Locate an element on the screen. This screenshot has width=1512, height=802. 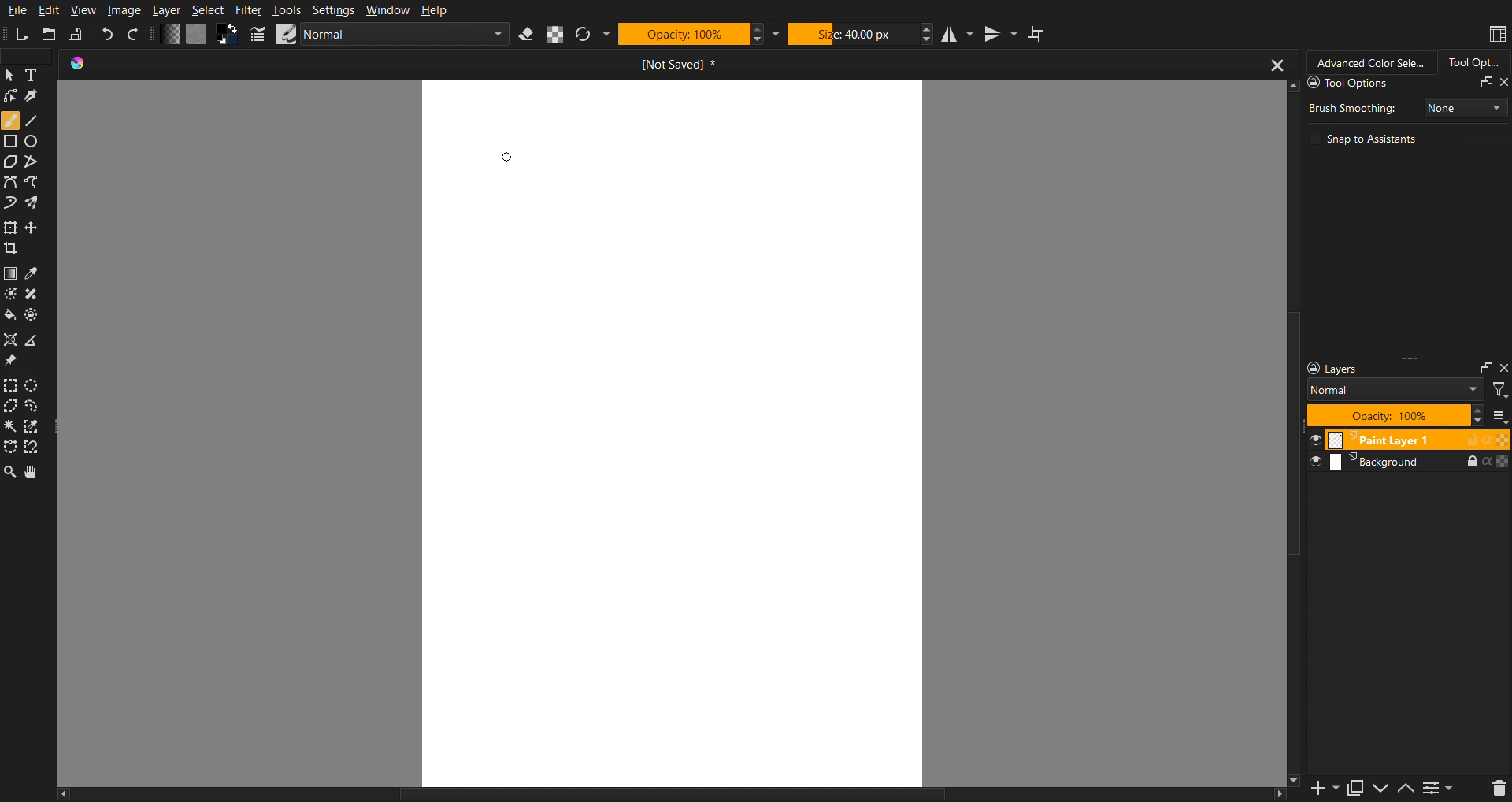
Color Picker is located at coordinates (38, 273).